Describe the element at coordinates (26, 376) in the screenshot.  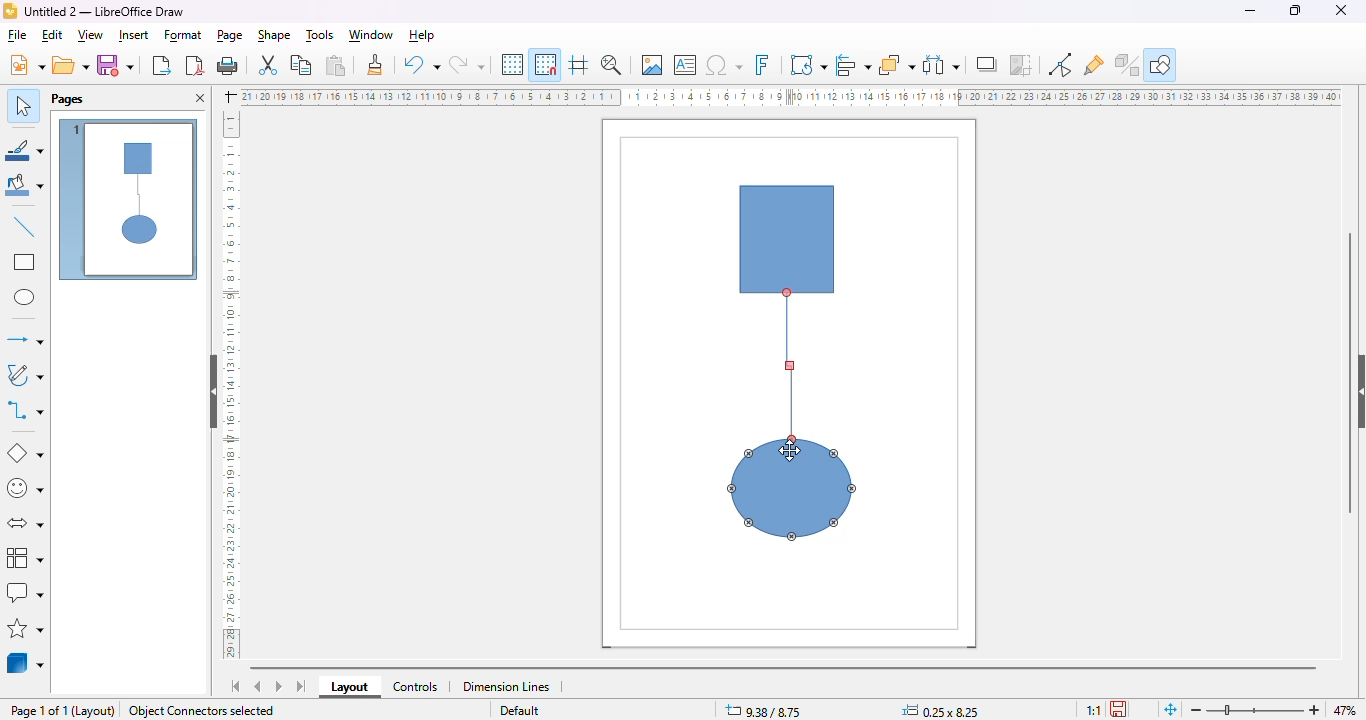
I see `curves and polygons` at that location.